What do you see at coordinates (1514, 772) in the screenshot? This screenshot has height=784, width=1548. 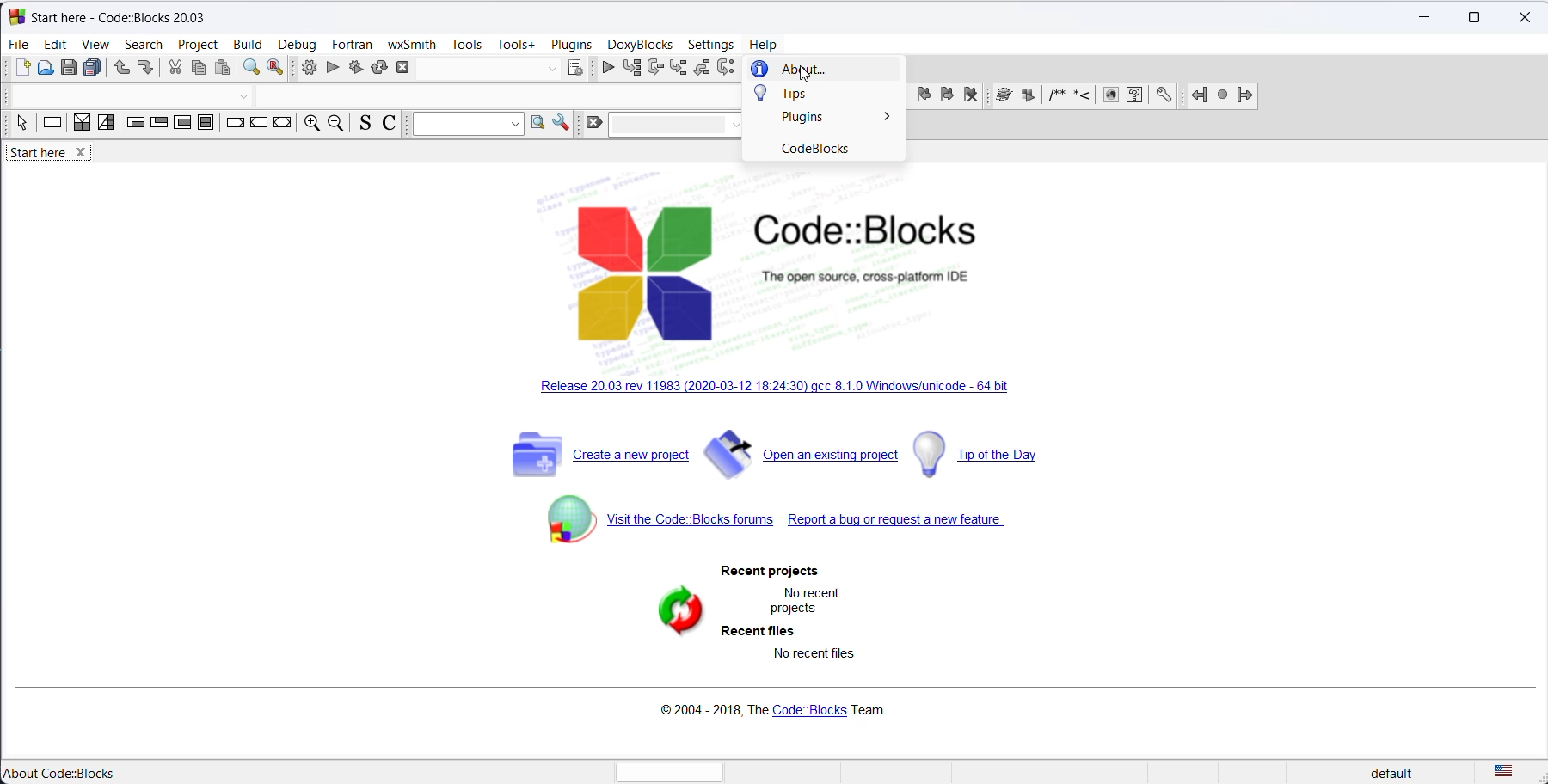 I see `language` at bounding box center [1514, 772].